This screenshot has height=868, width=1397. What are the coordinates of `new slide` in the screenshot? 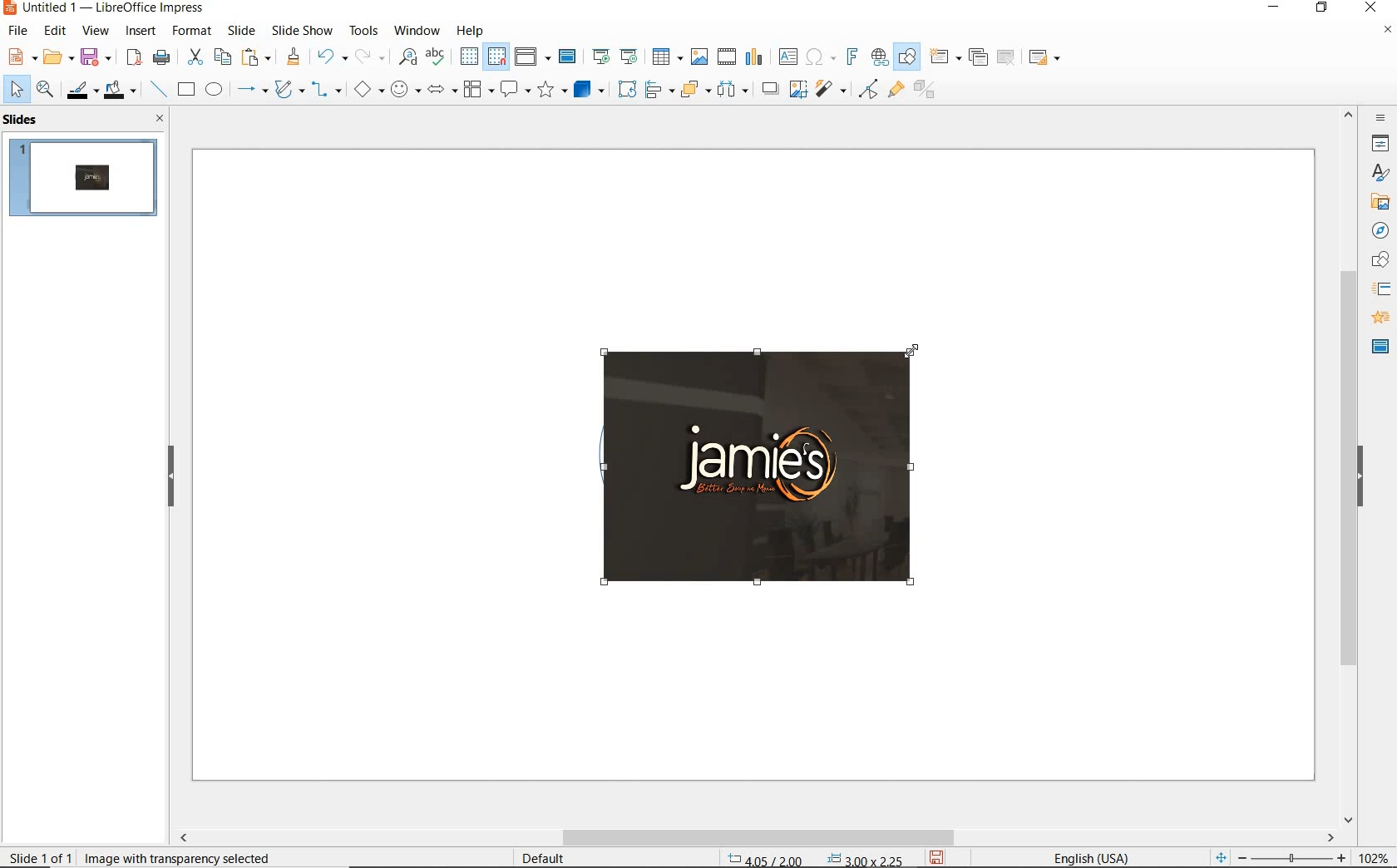 It's located at (945, 57).